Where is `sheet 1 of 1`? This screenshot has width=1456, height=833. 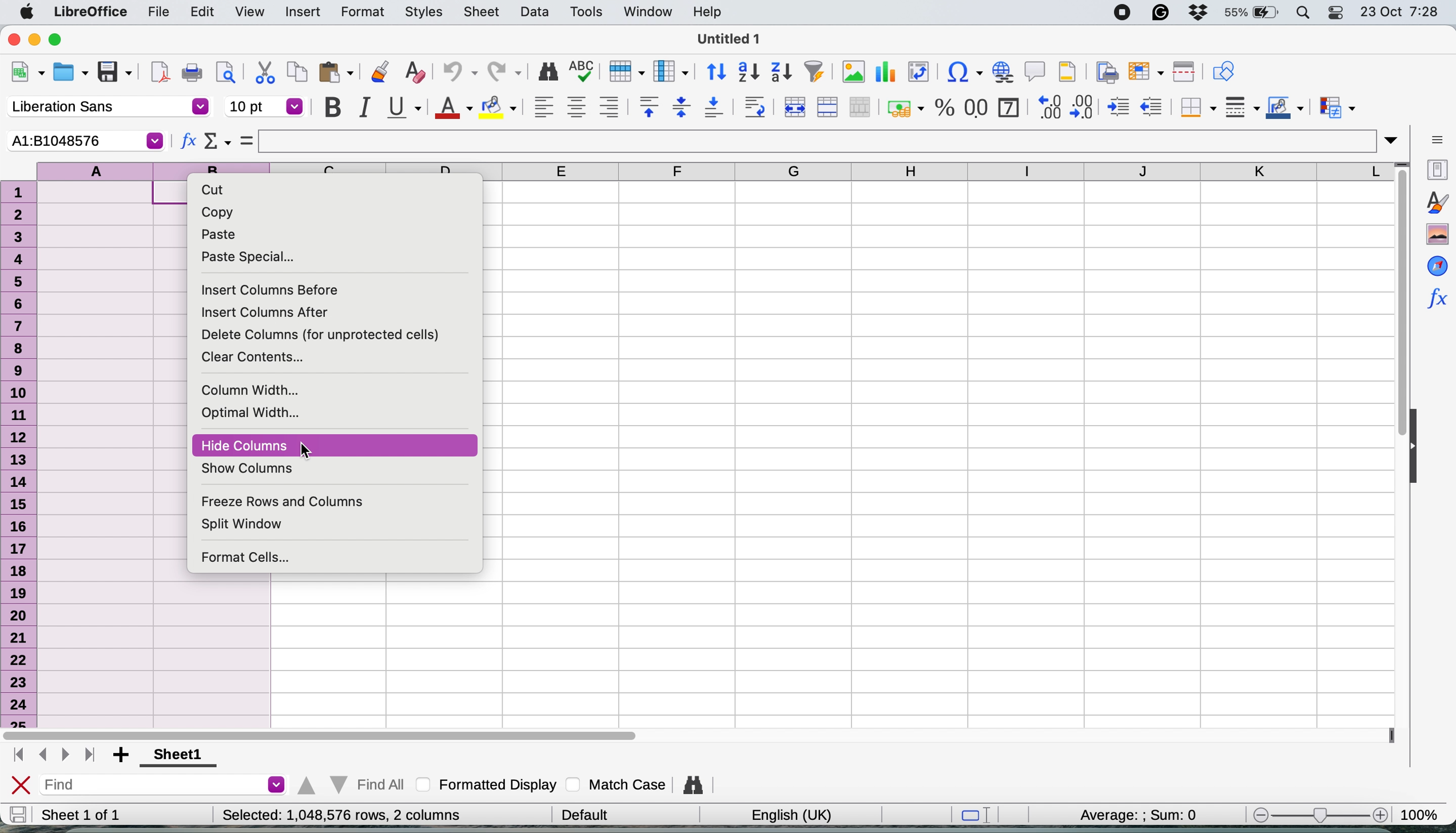 sheet 1 of 1 is located at coordinates (102, 815).